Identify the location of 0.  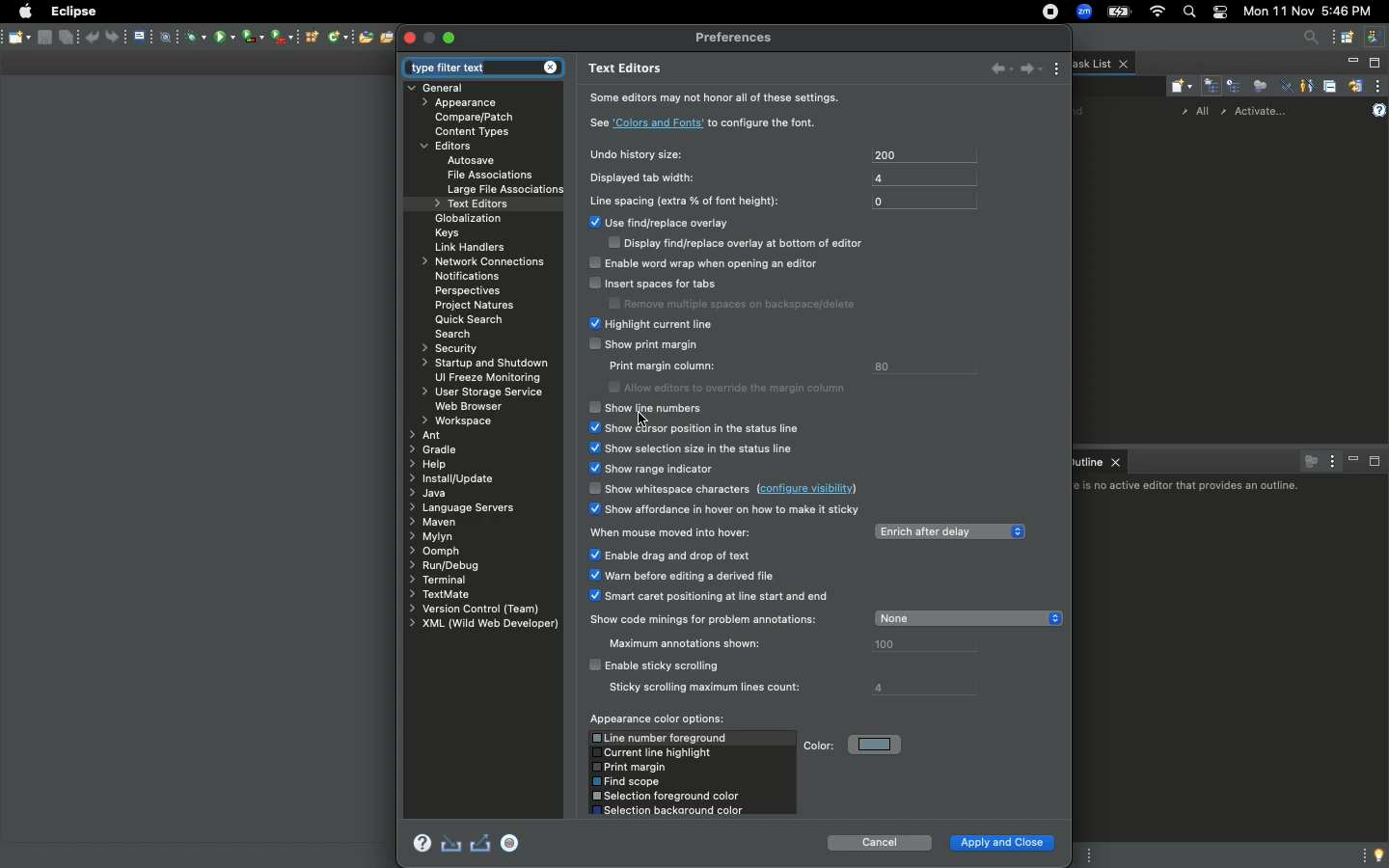
(925, 201).